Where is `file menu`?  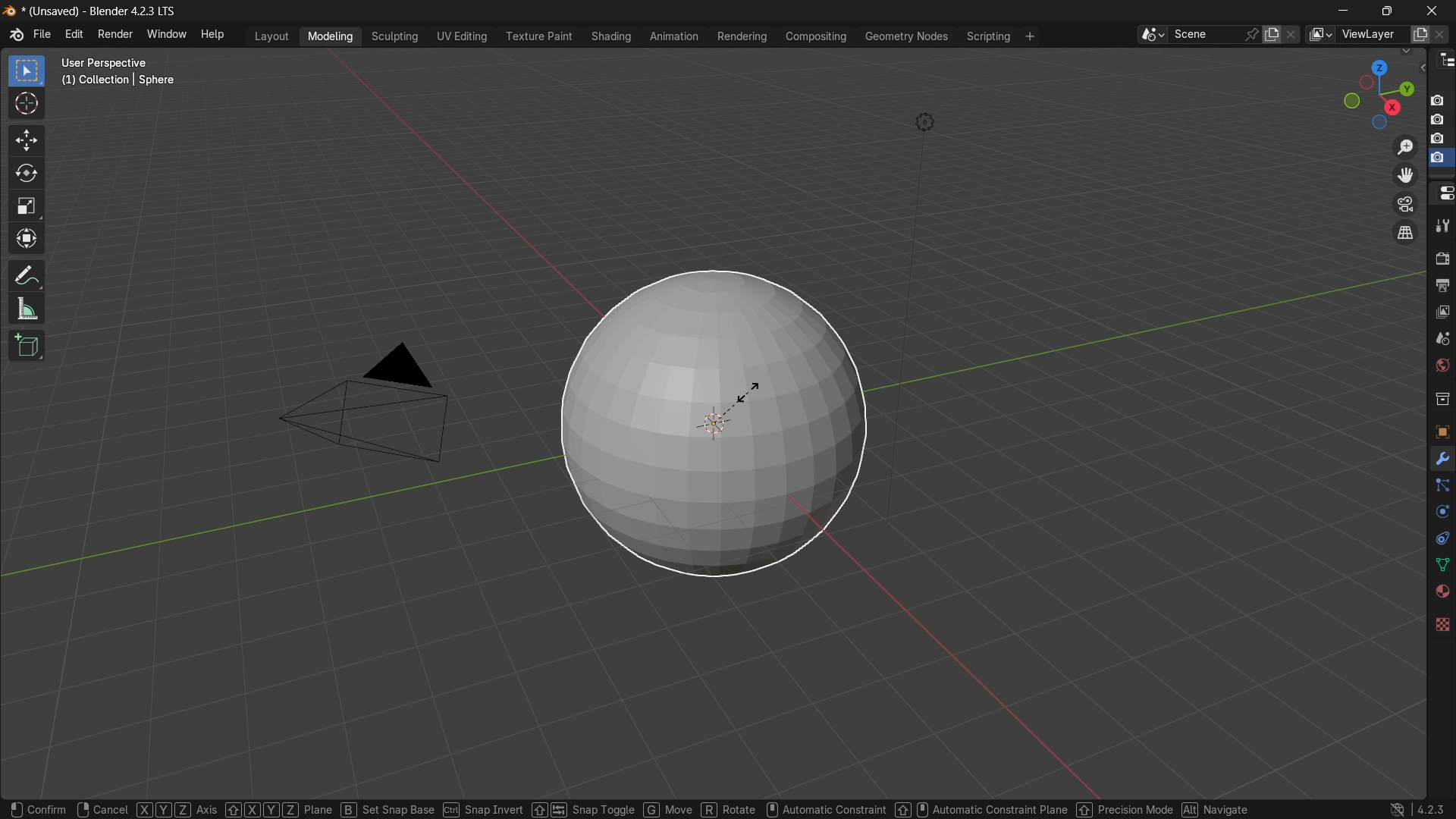 file menu is located at coordinates (43, 36).